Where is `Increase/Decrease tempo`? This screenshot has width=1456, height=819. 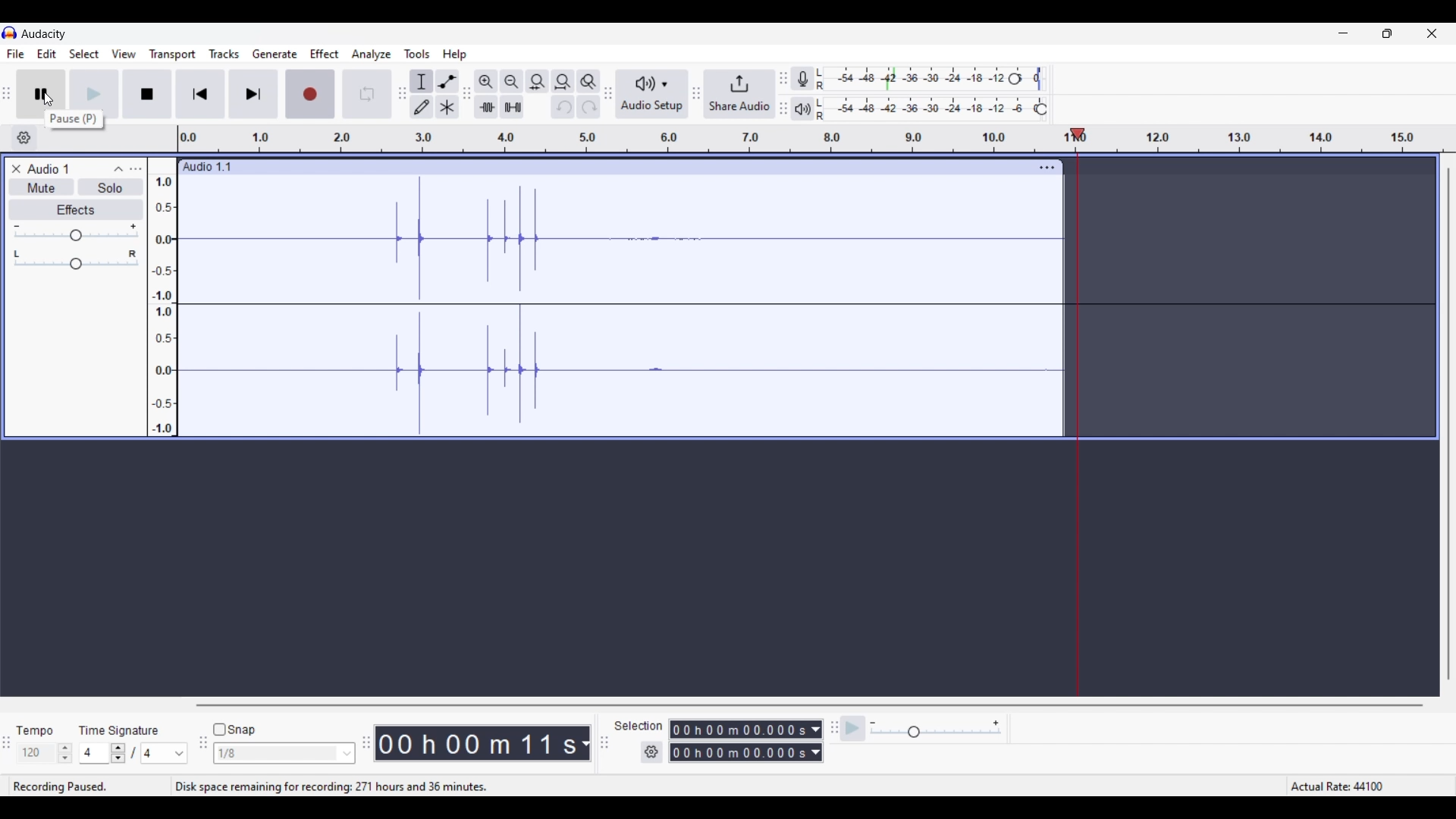 Increase/Decrease tempo is located at coordinates (65, 753).